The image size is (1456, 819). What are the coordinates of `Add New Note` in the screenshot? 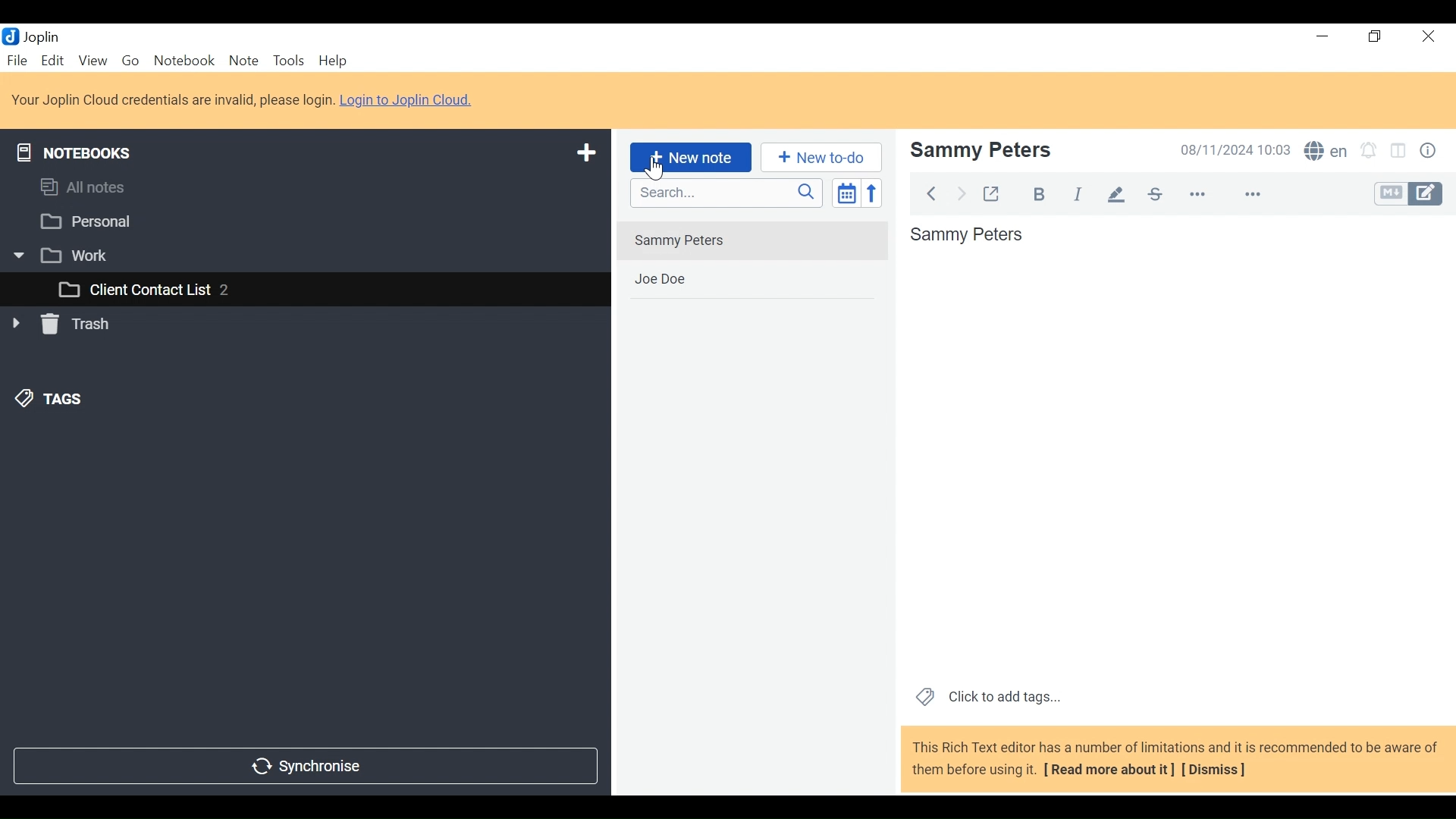 It's located at (690, 158).